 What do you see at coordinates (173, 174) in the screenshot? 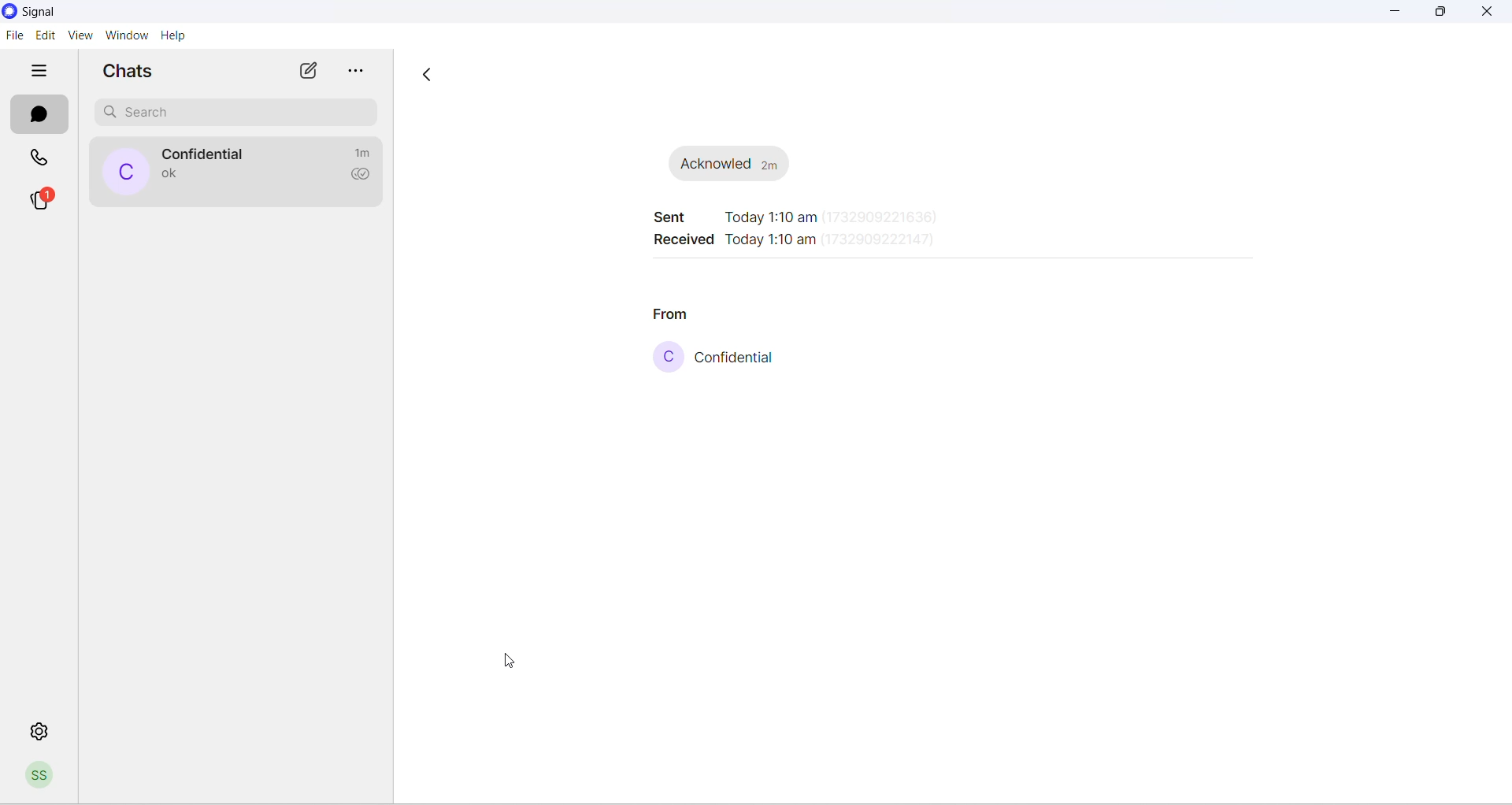
I see `last message` at bounding box center [173, 174].